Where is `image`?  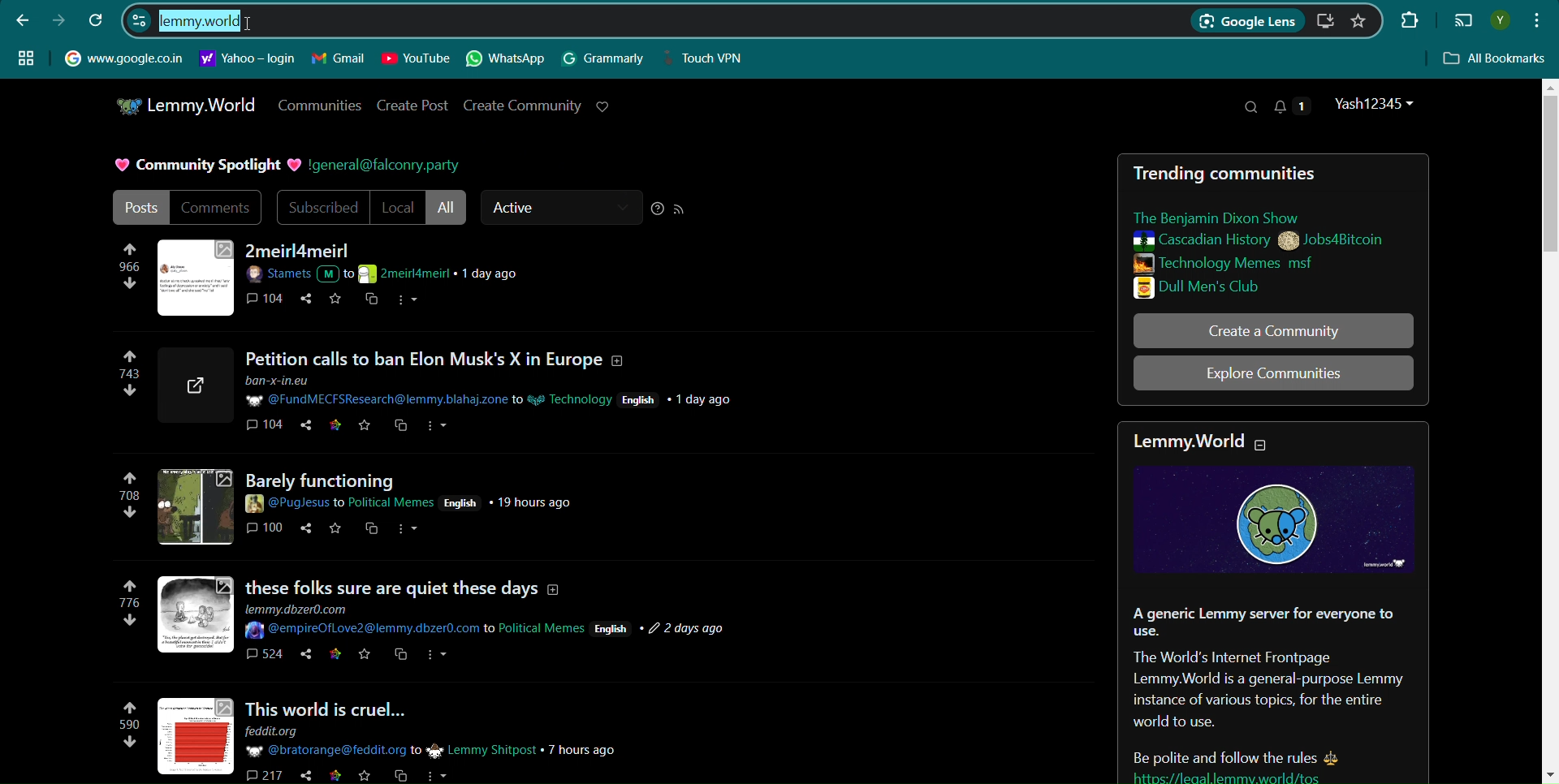
image is located at coordinates (193, 506).